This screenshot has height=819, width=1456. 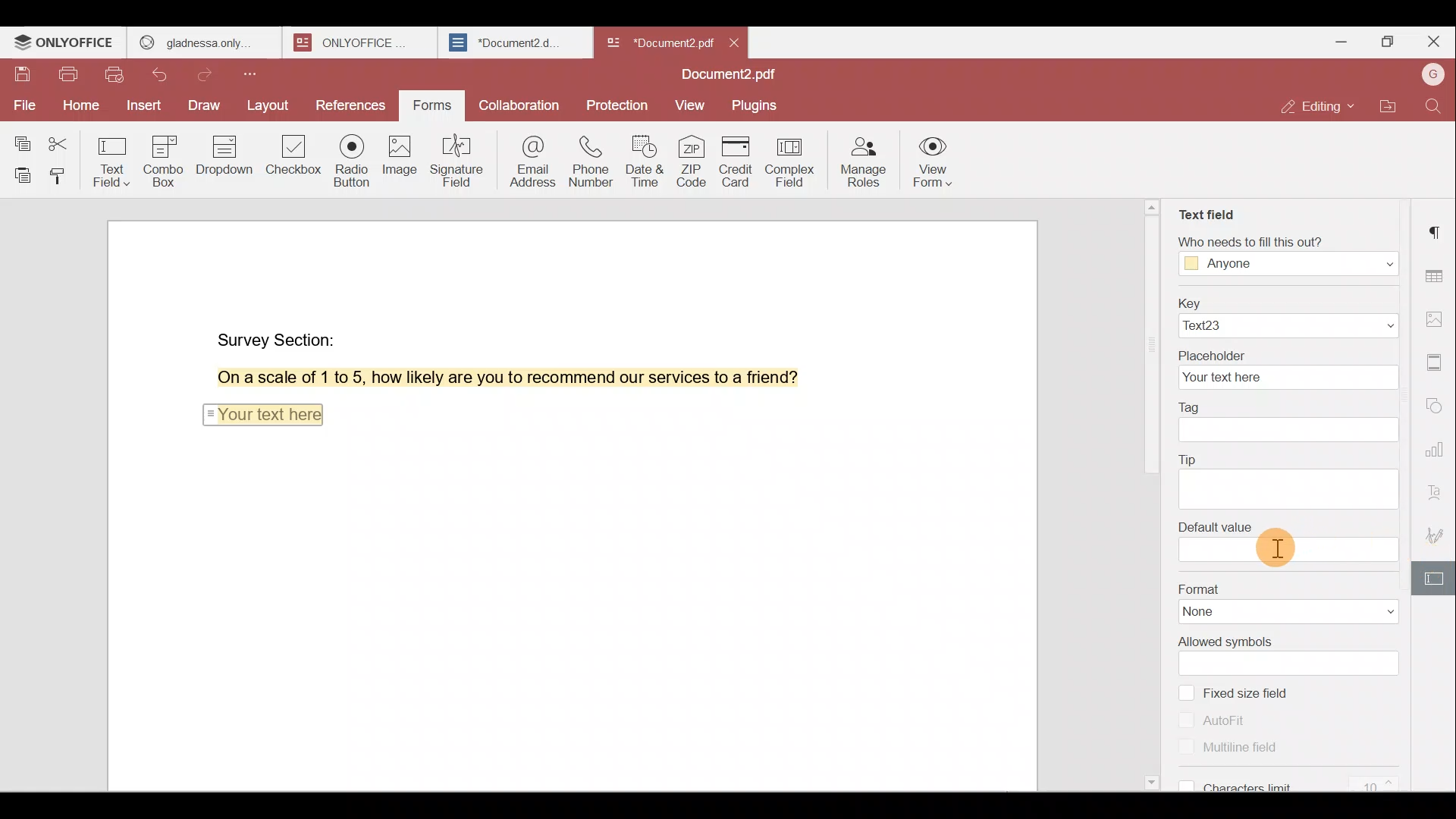 What do you see at coordinates (1436, 402) in the screenshot?
I see `Shapes settings` at bounding box center [1436, 402].